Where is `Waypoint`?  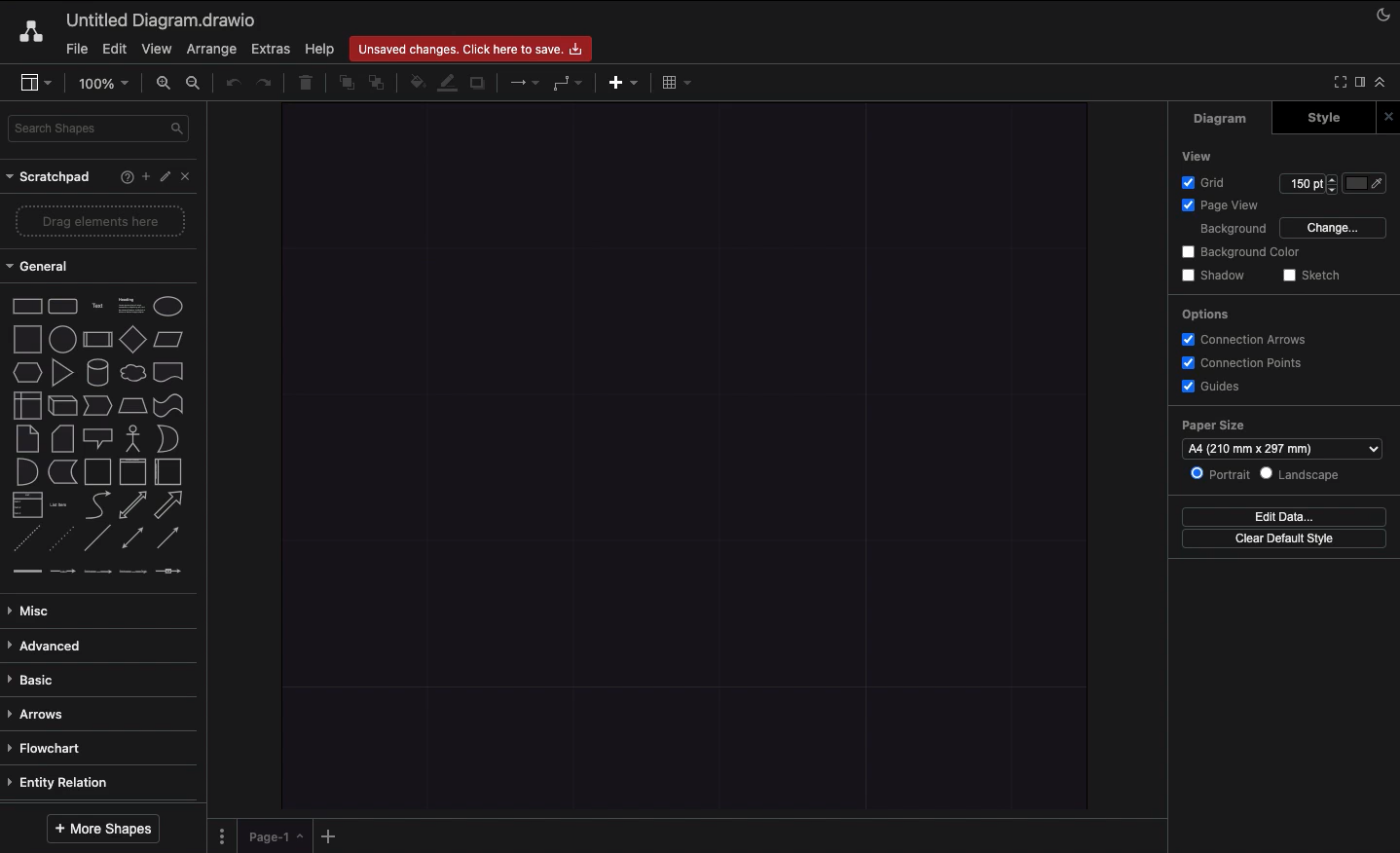
Waypoint is located at coordinates (568, 82).